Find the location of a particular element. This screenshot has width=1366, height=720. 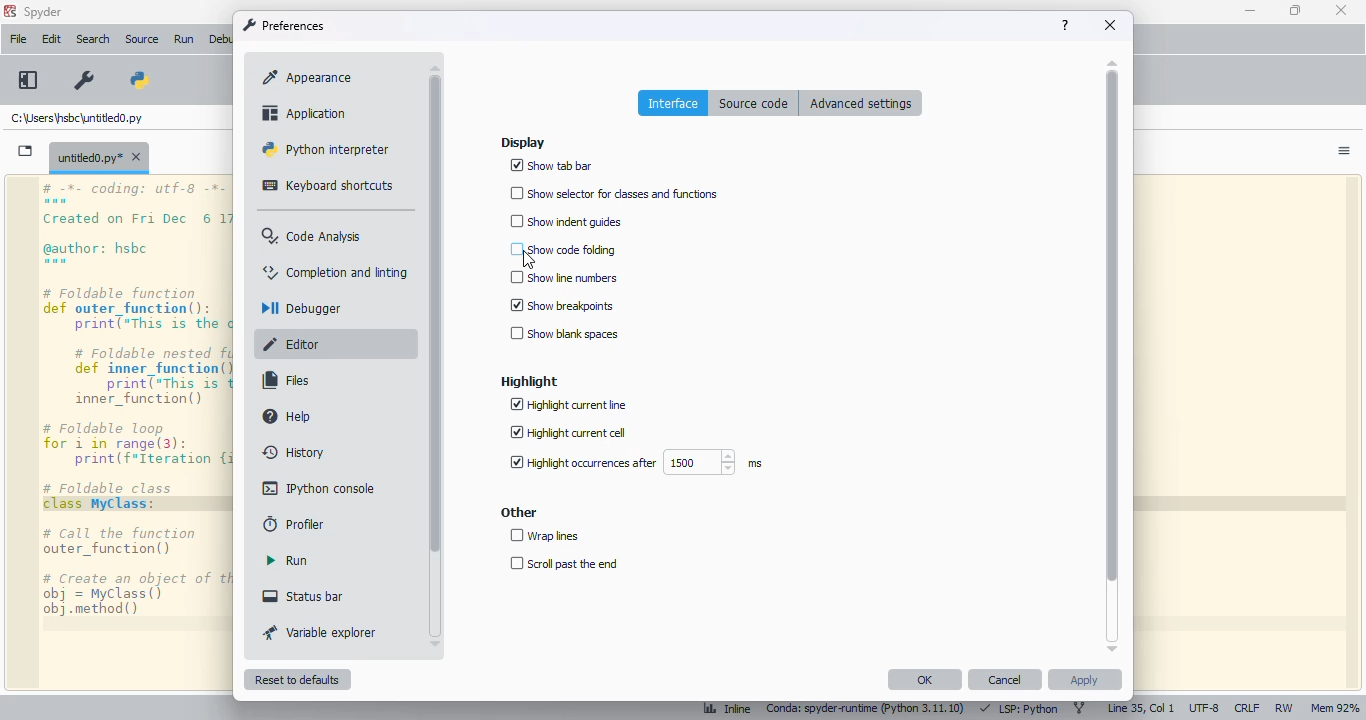

highlight is located at coordinates (528, 381).